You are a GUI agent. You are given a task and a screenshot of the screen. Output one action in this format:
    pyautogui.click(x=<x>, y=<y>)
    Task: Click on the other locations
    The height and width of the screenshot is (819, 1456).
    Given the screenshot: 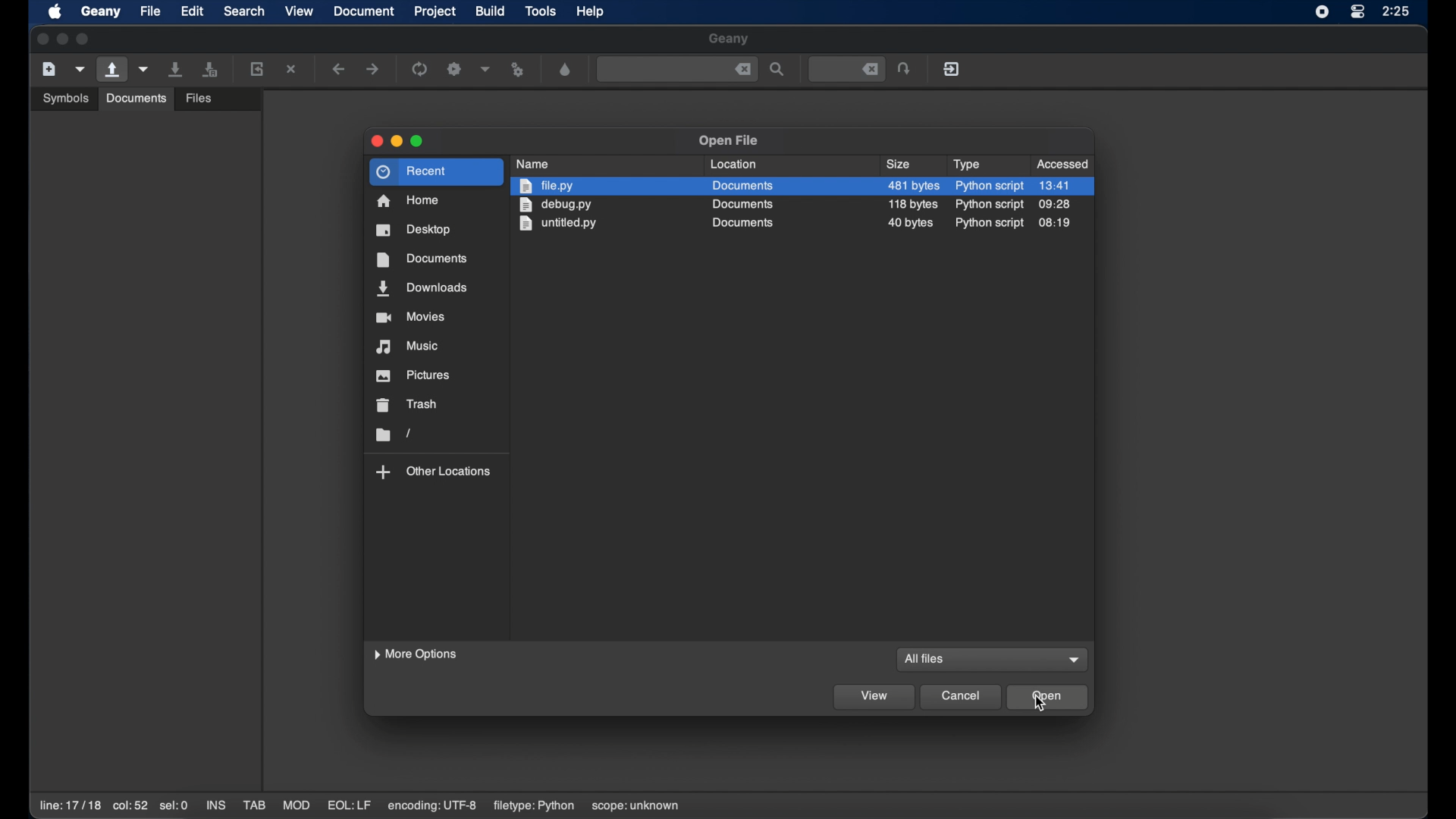 What is the action you would take?
    pyautogui.click(x=434, y=472)
    